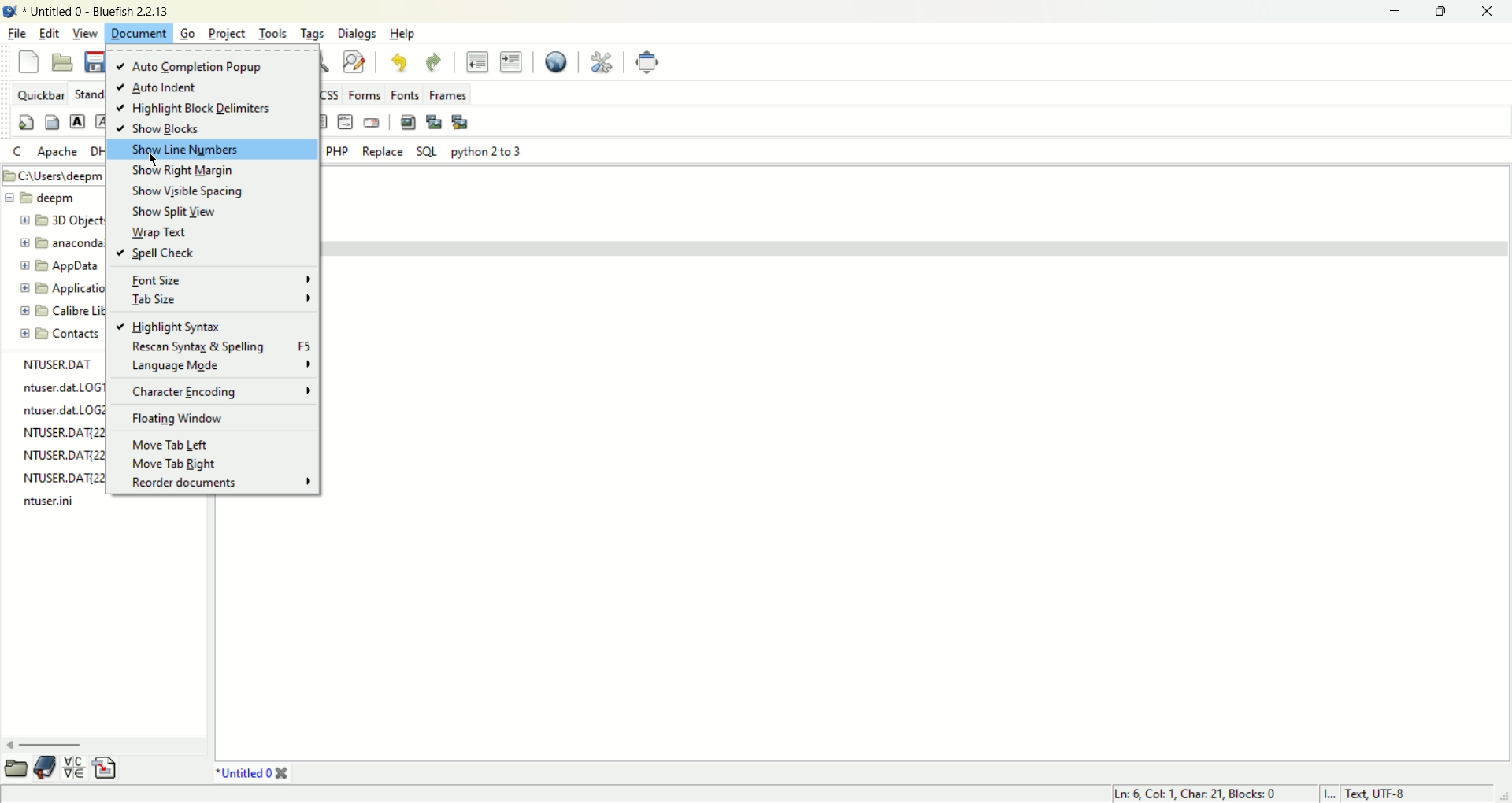 Image resolution: width=1512 pixels, height=803 pixels. Describe the element at coordinates (354, 61) in the screenshot. I see `advanced find and replace` at that location.